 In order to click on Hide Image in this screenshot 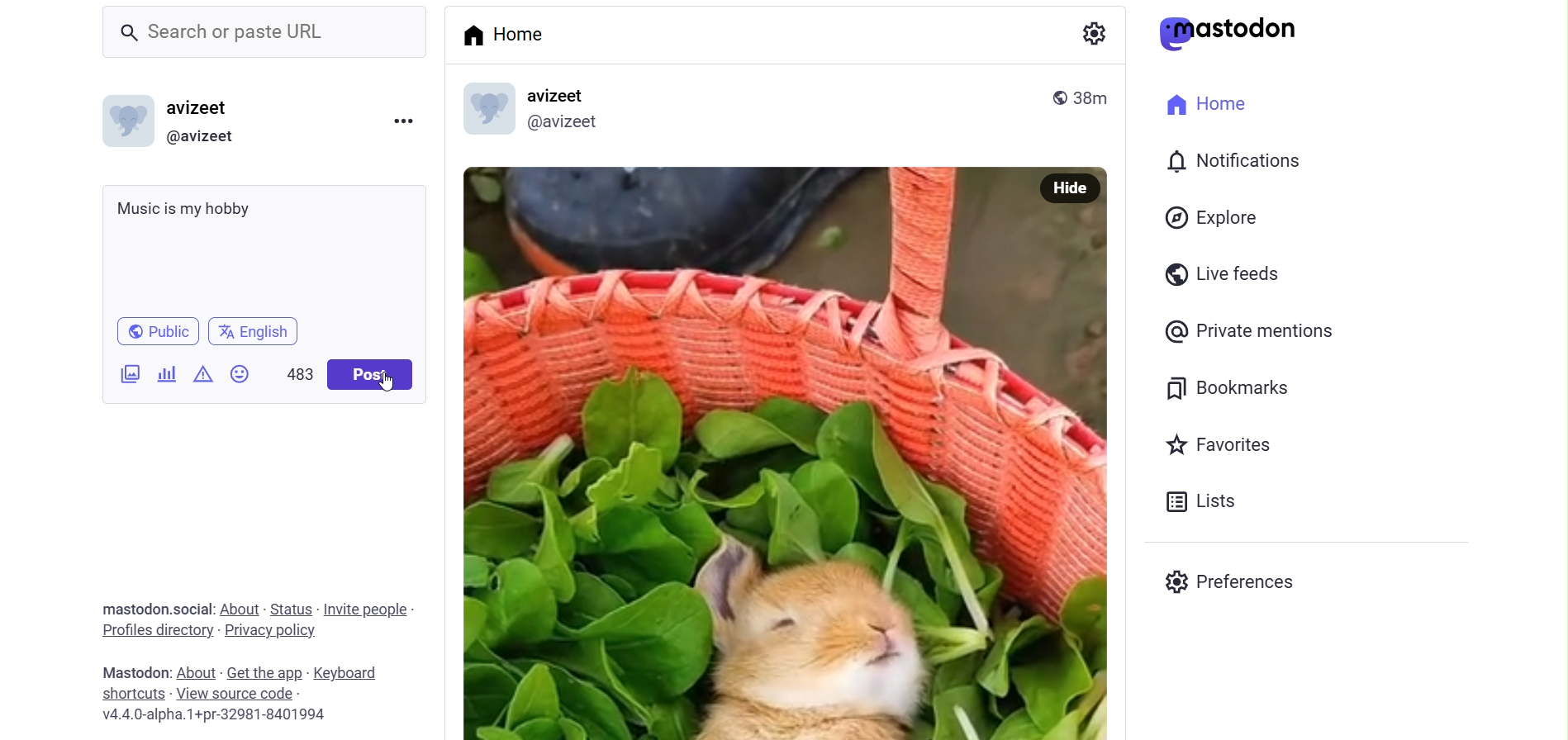, I will do `click(1070, 189)`.